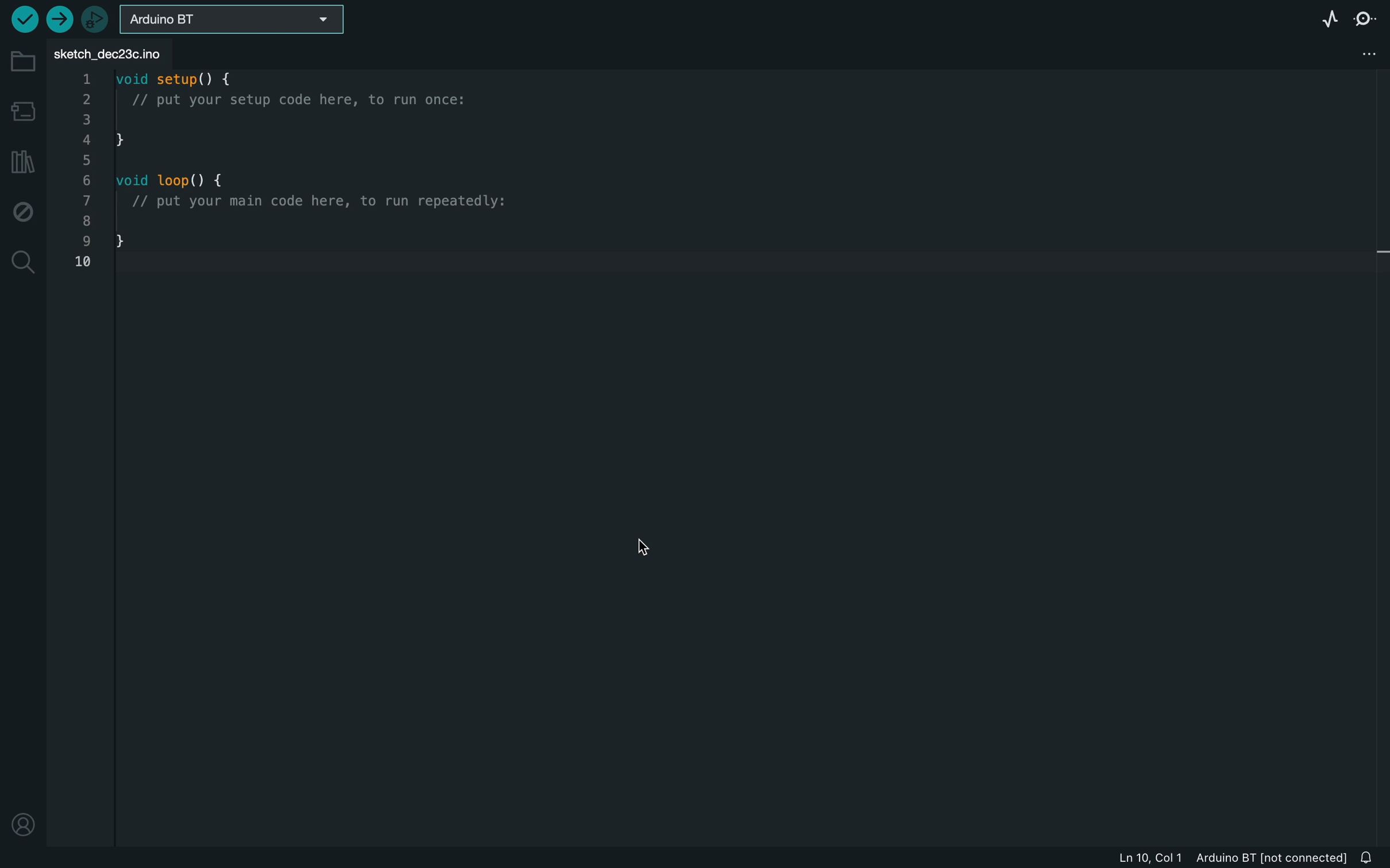 This screenshot has width=1390, height=868. Describe the element at coordinates (644, 549) in the screenshot. I see `curser` at that location.